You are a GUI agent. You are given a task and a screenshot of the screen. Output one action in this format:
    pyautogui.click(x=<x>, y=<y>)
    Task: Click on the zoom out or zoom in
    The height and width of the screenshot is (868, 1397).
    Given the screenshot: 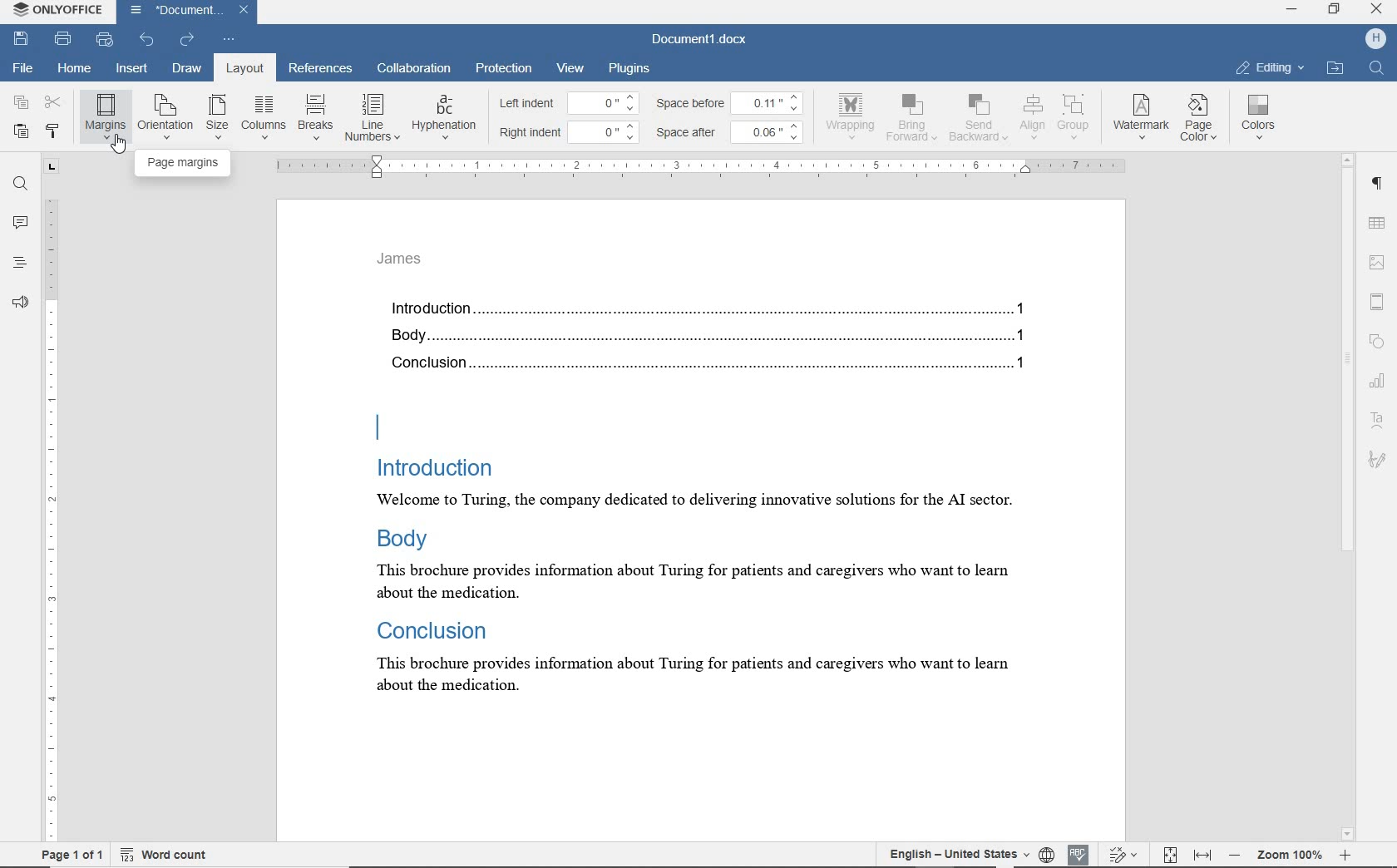 What is the action you would take?
    pyautogui.click(x=1290, y=854)
    